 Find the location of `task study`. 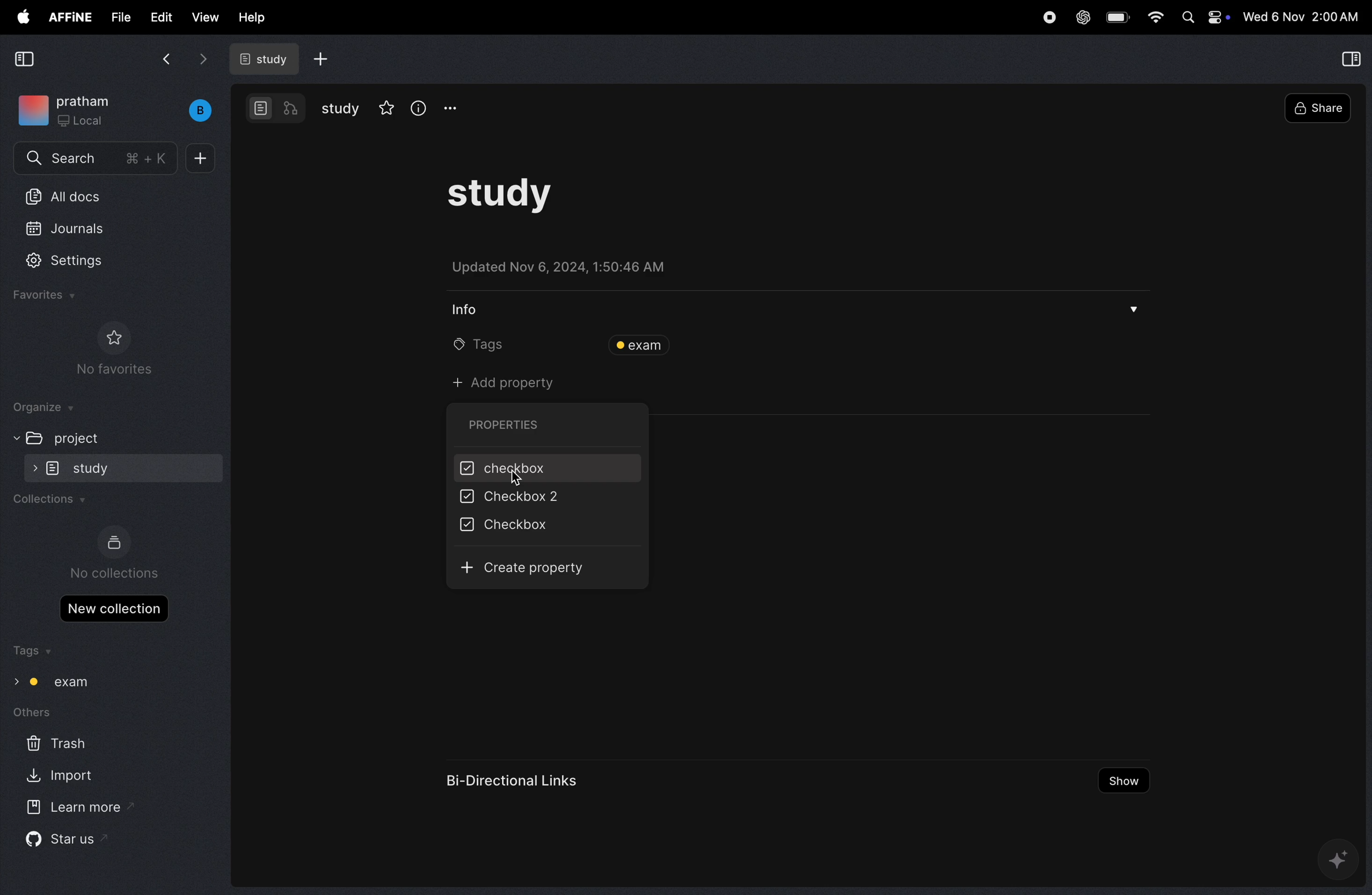

task study is located at coordinates (503, 194).